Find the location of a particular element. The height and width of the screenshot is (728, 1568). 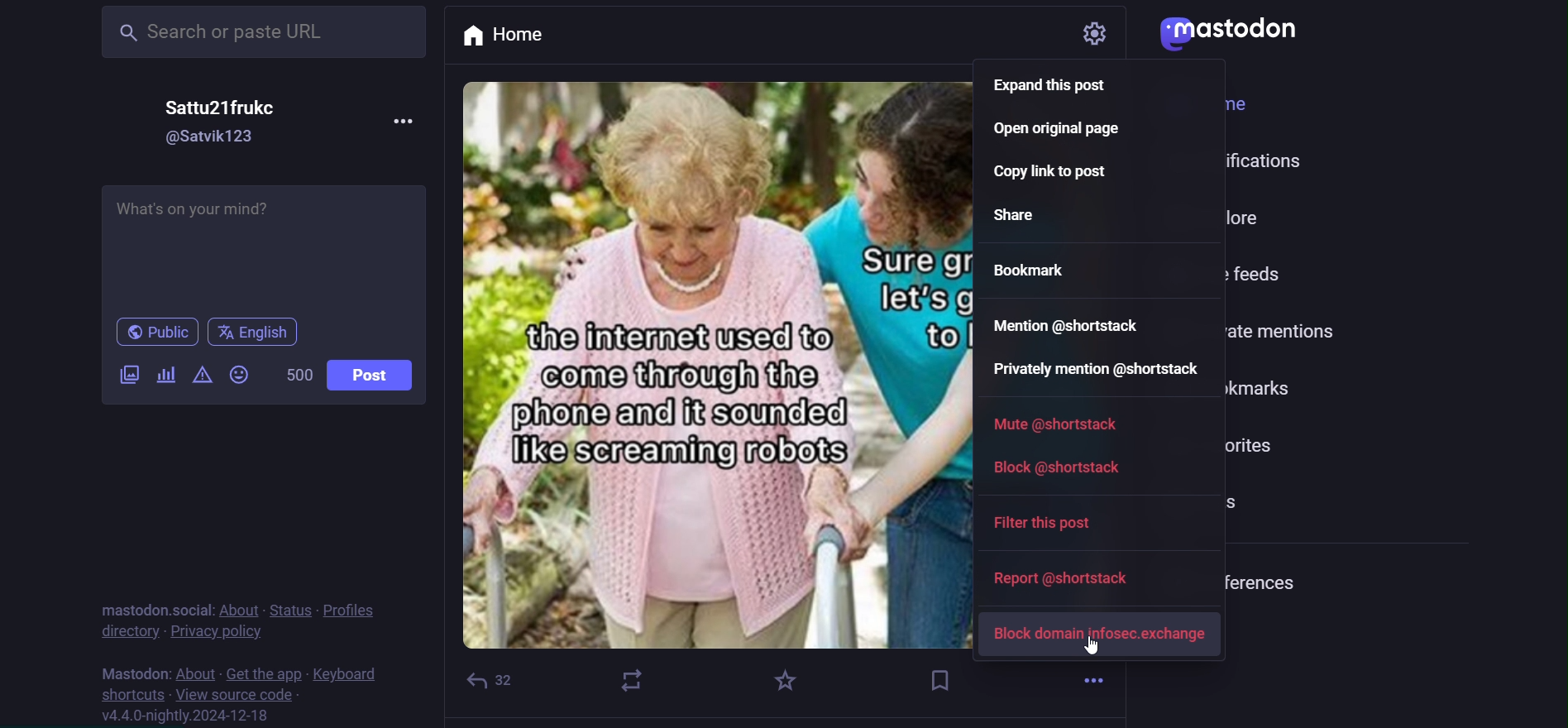

about is located at coordinates (239, 610).